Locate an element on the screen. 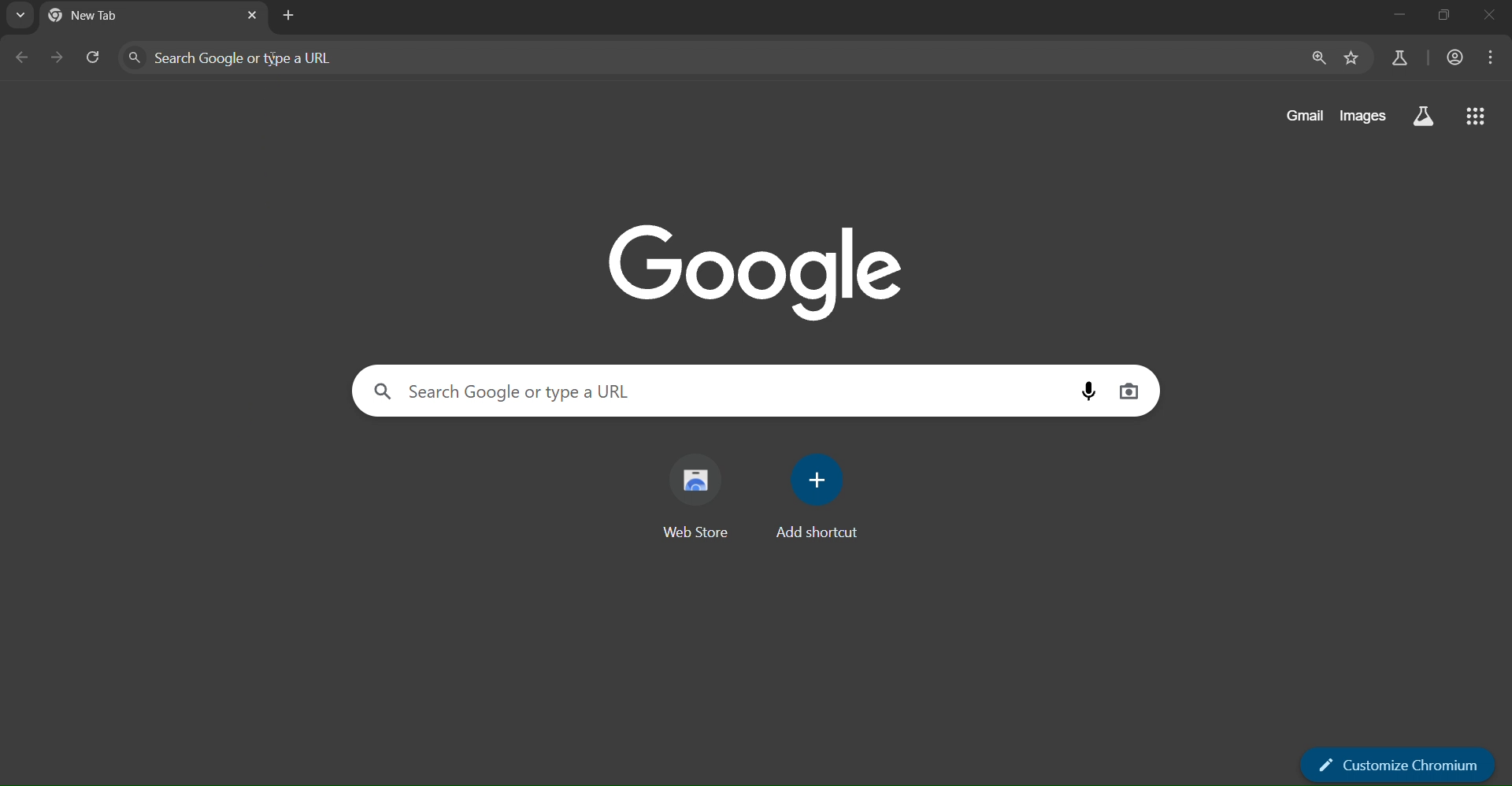 Image resolution: width=1512 pixels, height=786 pixels. zoom is located at coordinates (1315, 57).